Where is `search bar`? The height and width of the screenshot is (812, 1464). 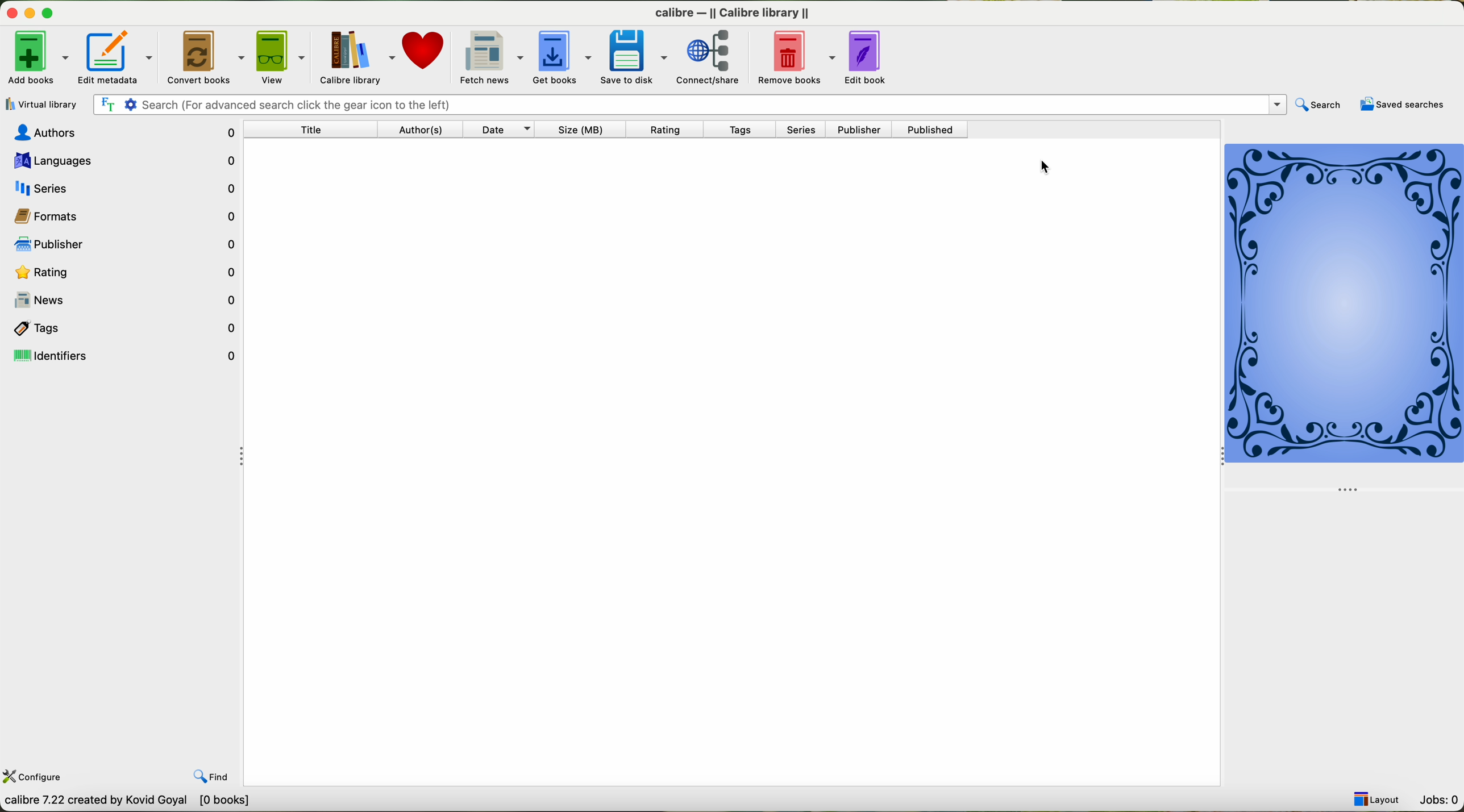 search bar is located at coordinates (718, 103).